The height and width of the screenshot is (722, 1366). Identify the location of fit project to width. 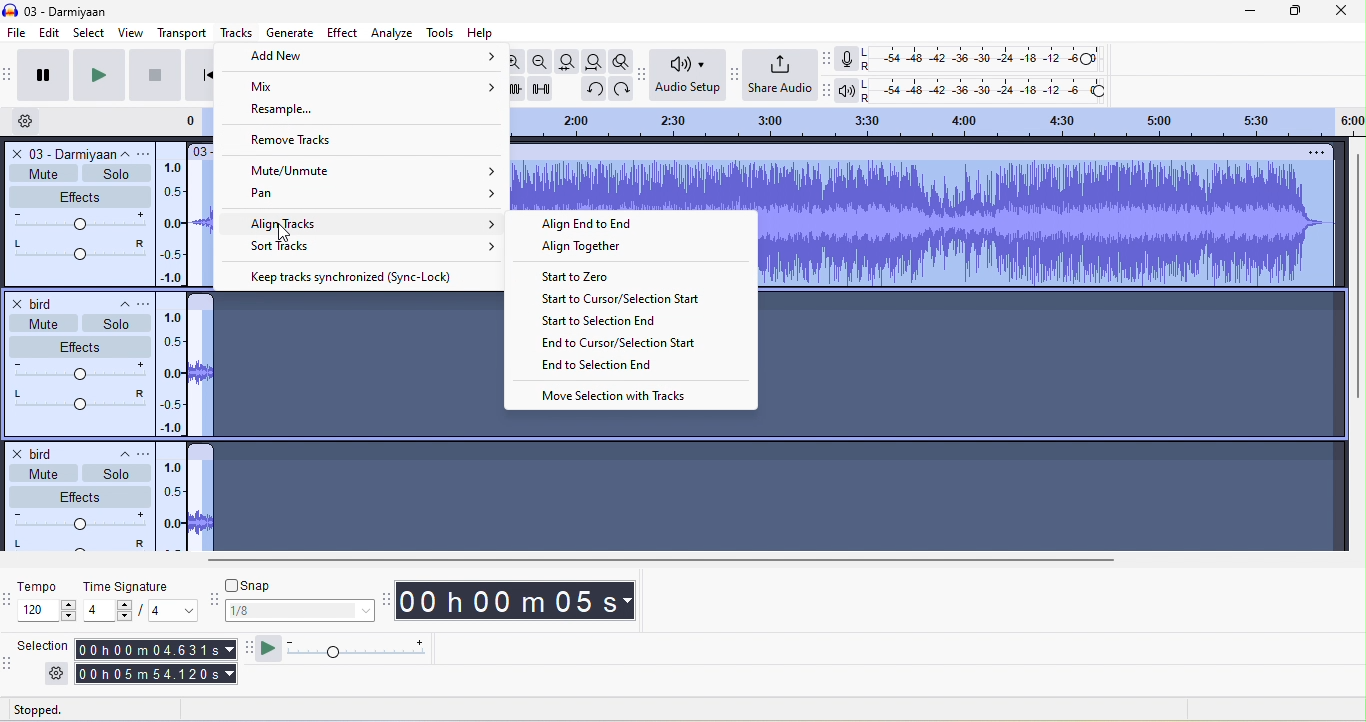
(596, 62).